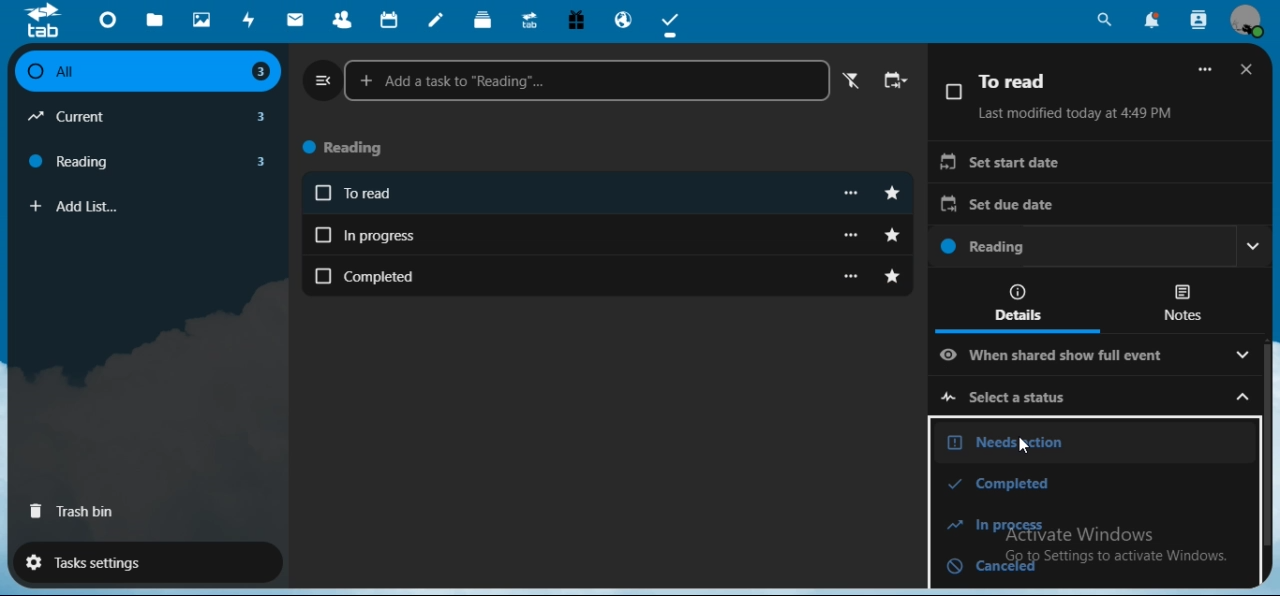 This screenshot has height=596, width=1280. What do you see at coordinates (1094, 563) in the screenshot?
I see `canceled` at bounding box center [1094, 563].